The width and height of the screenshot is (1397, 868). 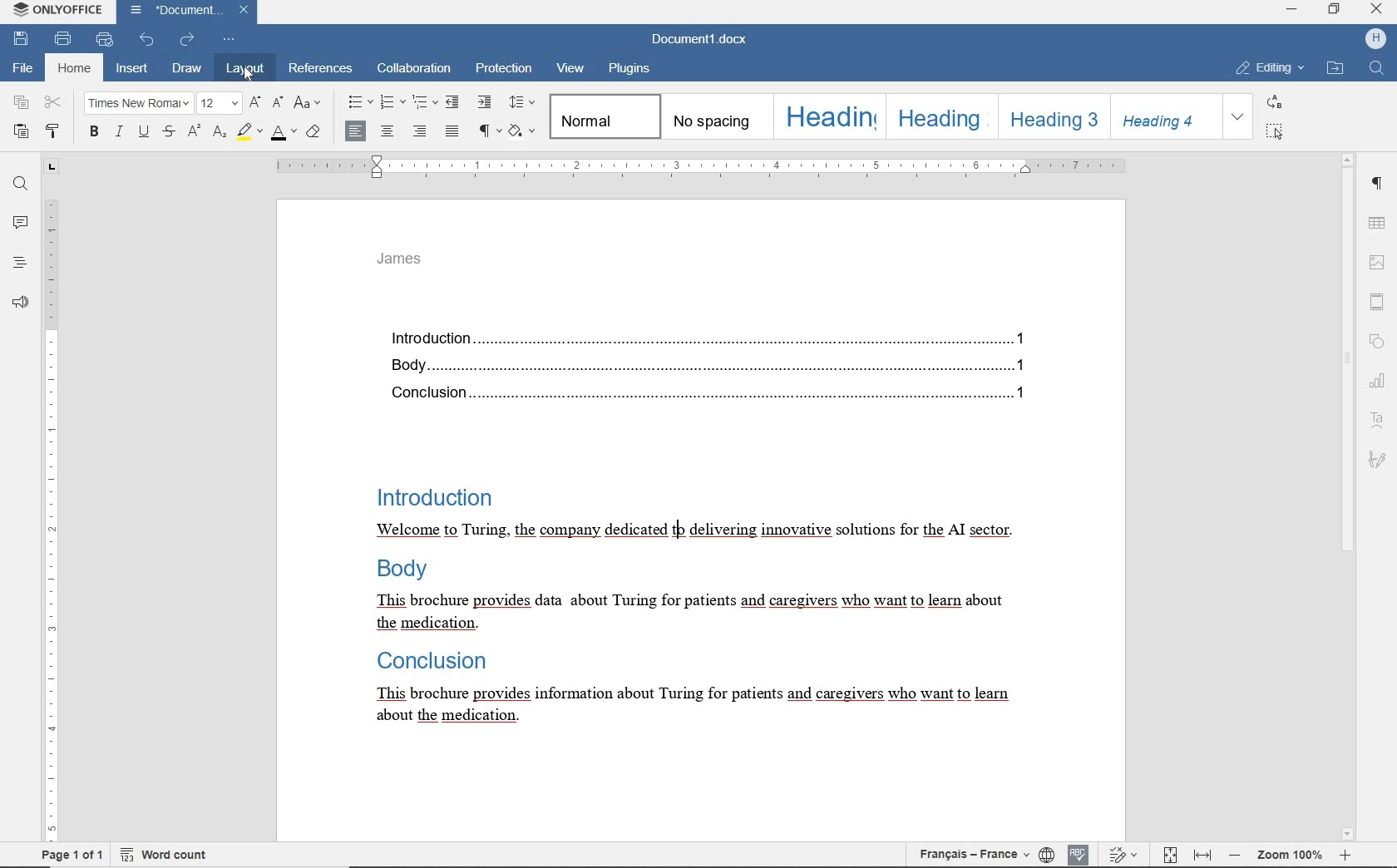 What do you see at coordinates (71, 855) in the screenshot?
I see `page 1 of 1` at bounding box center [71, 855].